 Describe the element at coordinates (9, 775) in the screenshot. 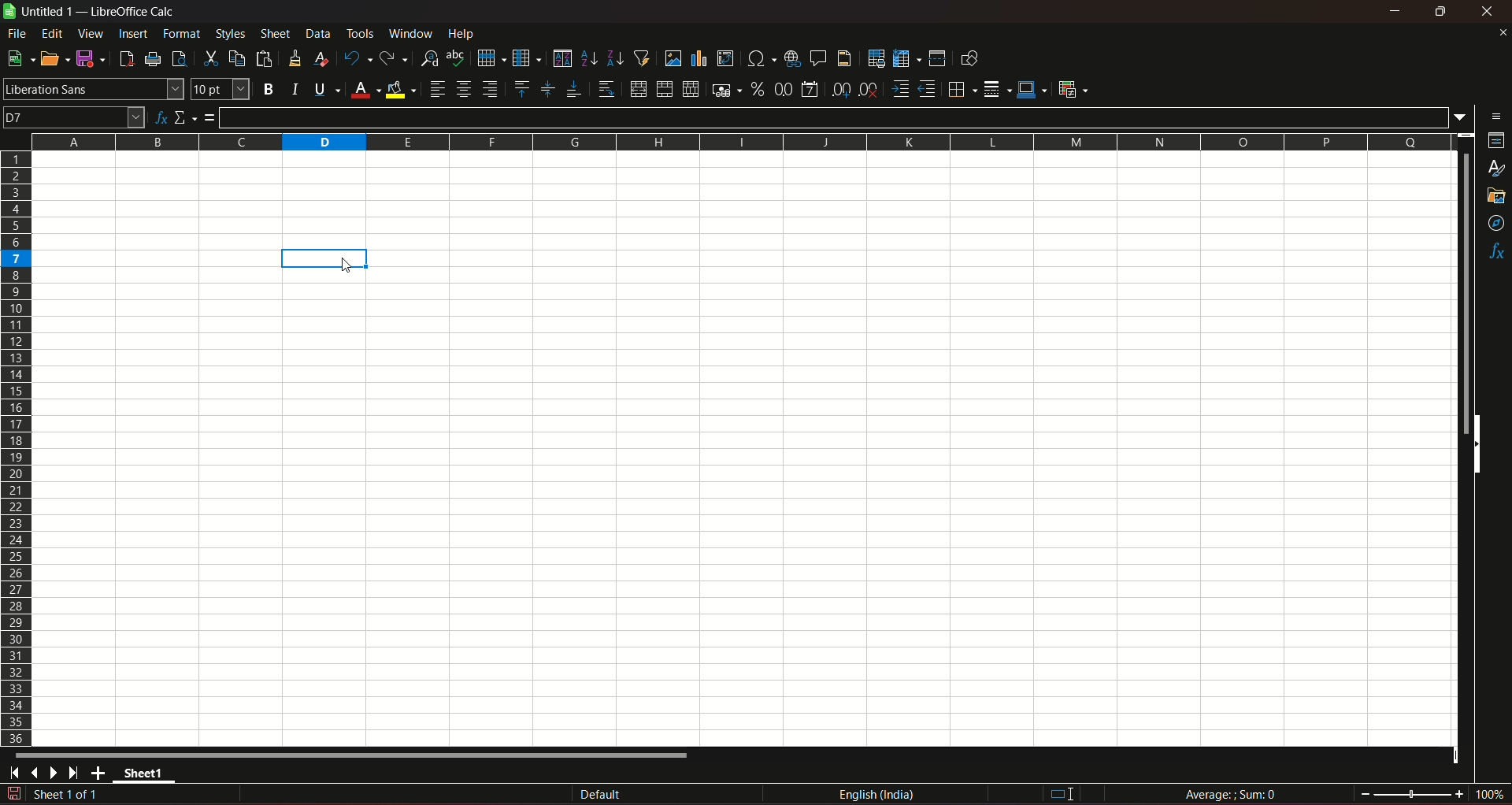

I see `scroll to first` at that location.